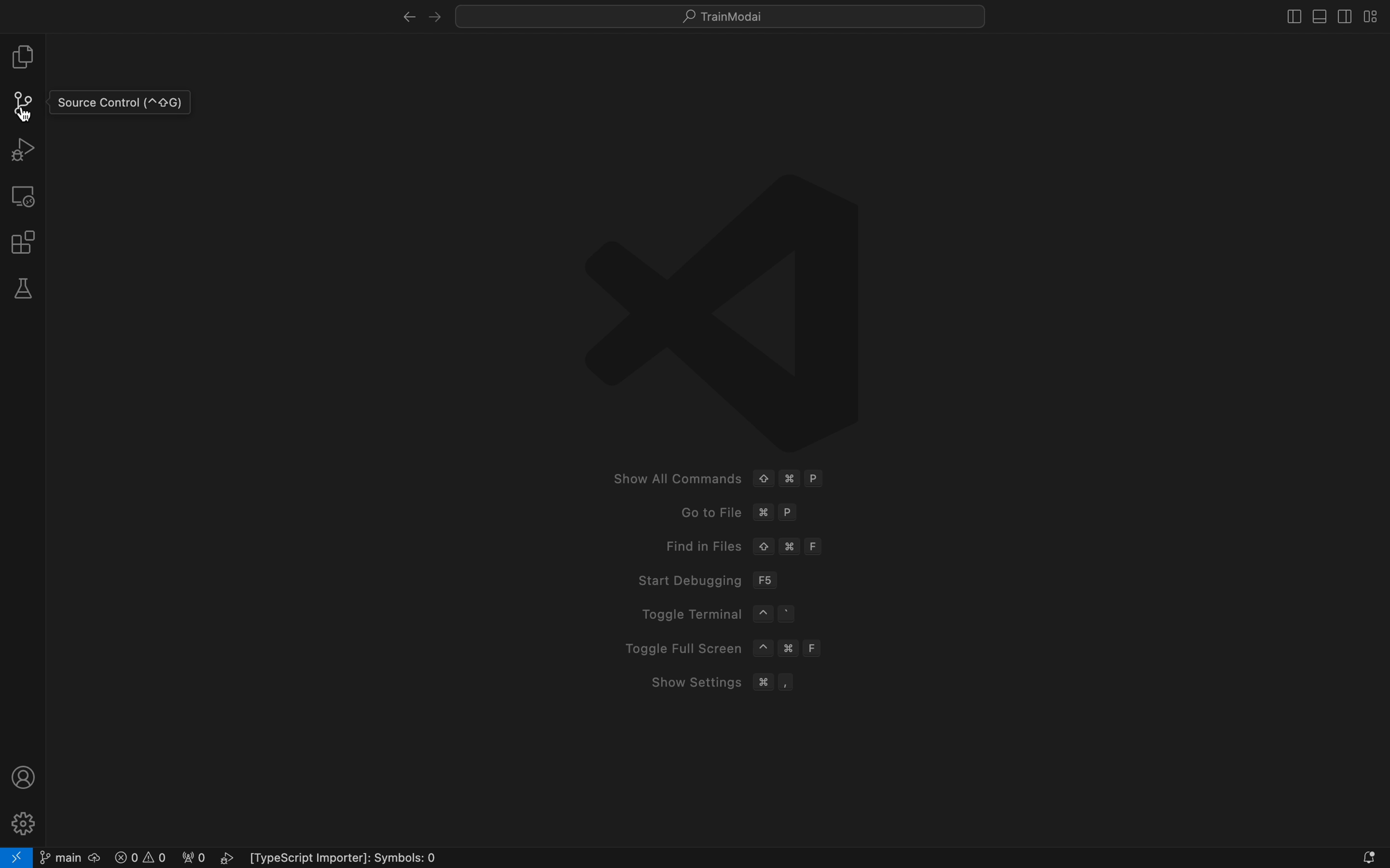 This screenshot has width=1390, height=868. What do you see at coordinates (69, 857) in the screenshot?
I see `git branch` at bounding box center [69, 857].